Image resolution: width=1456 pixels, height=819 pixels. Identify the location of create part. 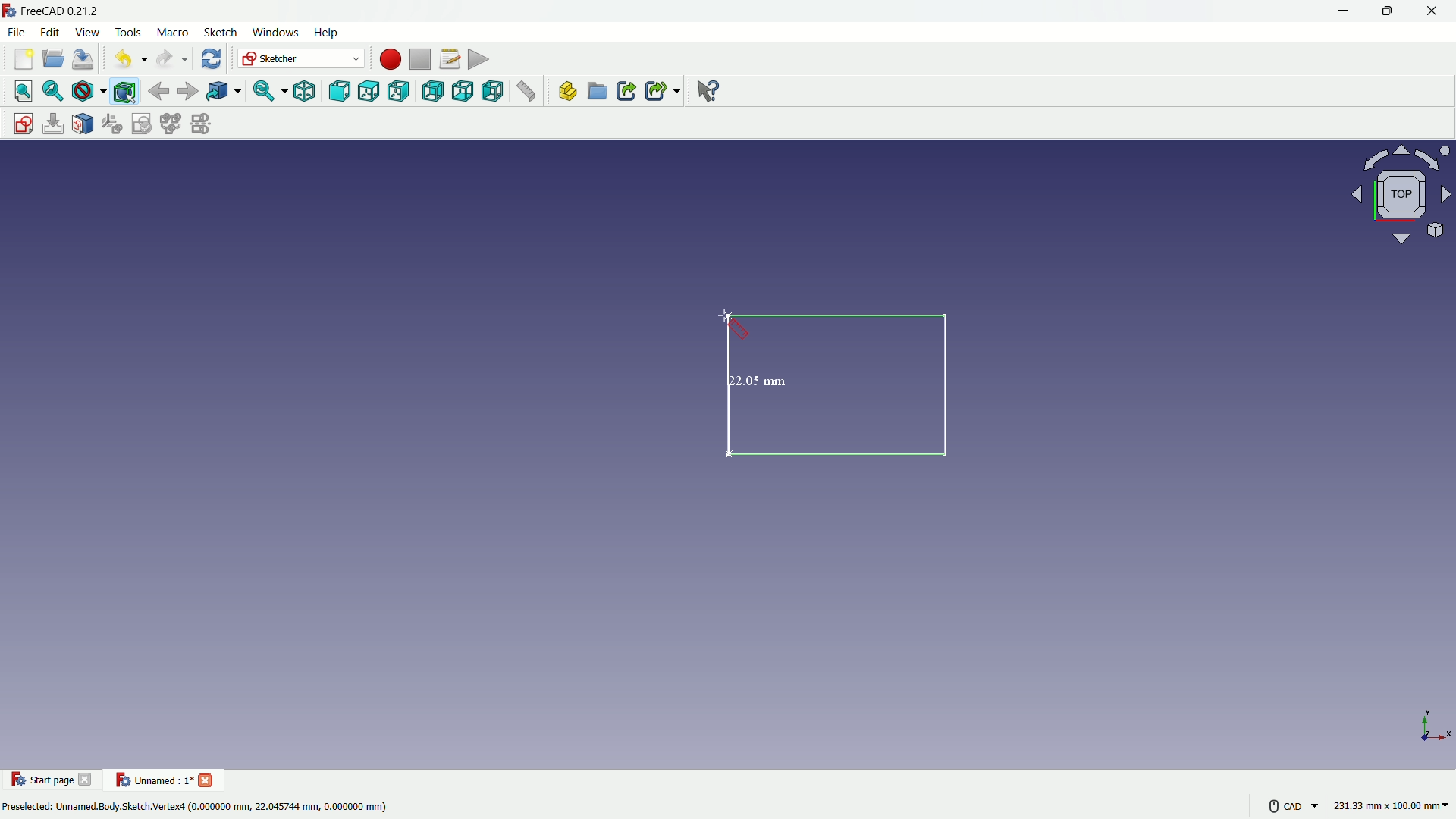
(564, 93).